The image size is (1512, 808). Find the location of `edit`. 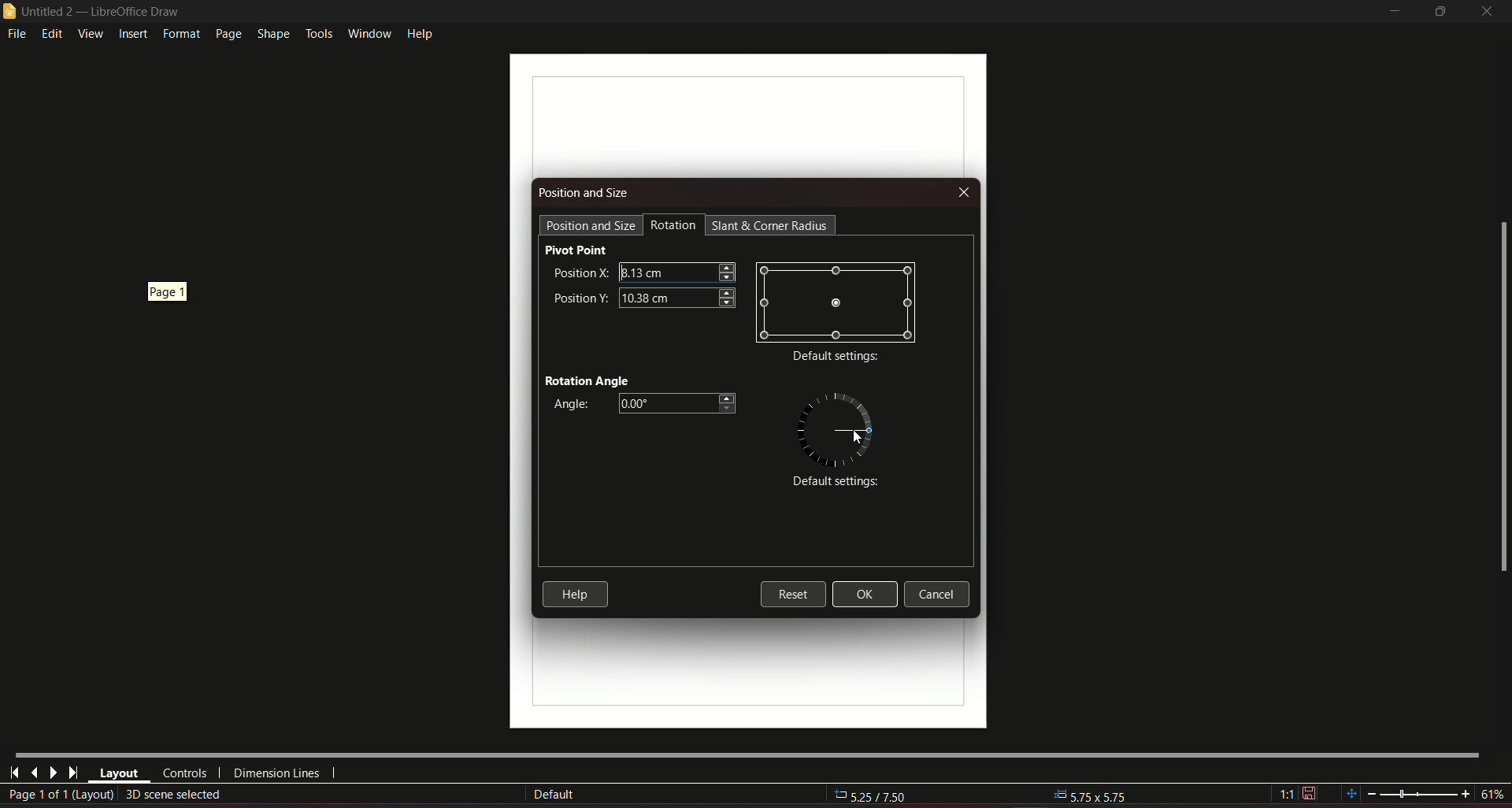

edit is located at coordinates (53, 33).